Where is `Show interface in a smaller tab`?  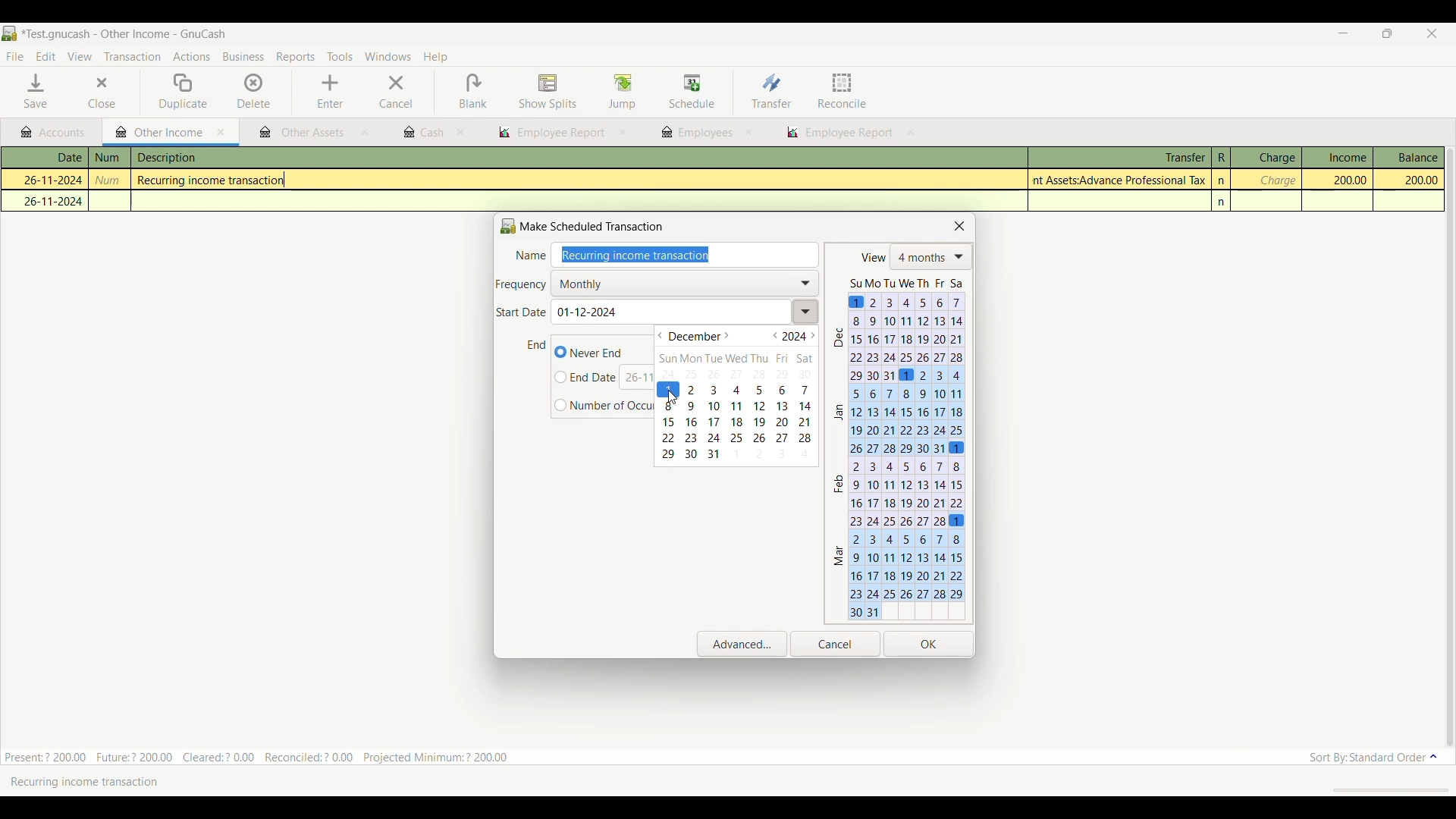
Show interface in a smaller tab is located at coordinates (1390, 35).